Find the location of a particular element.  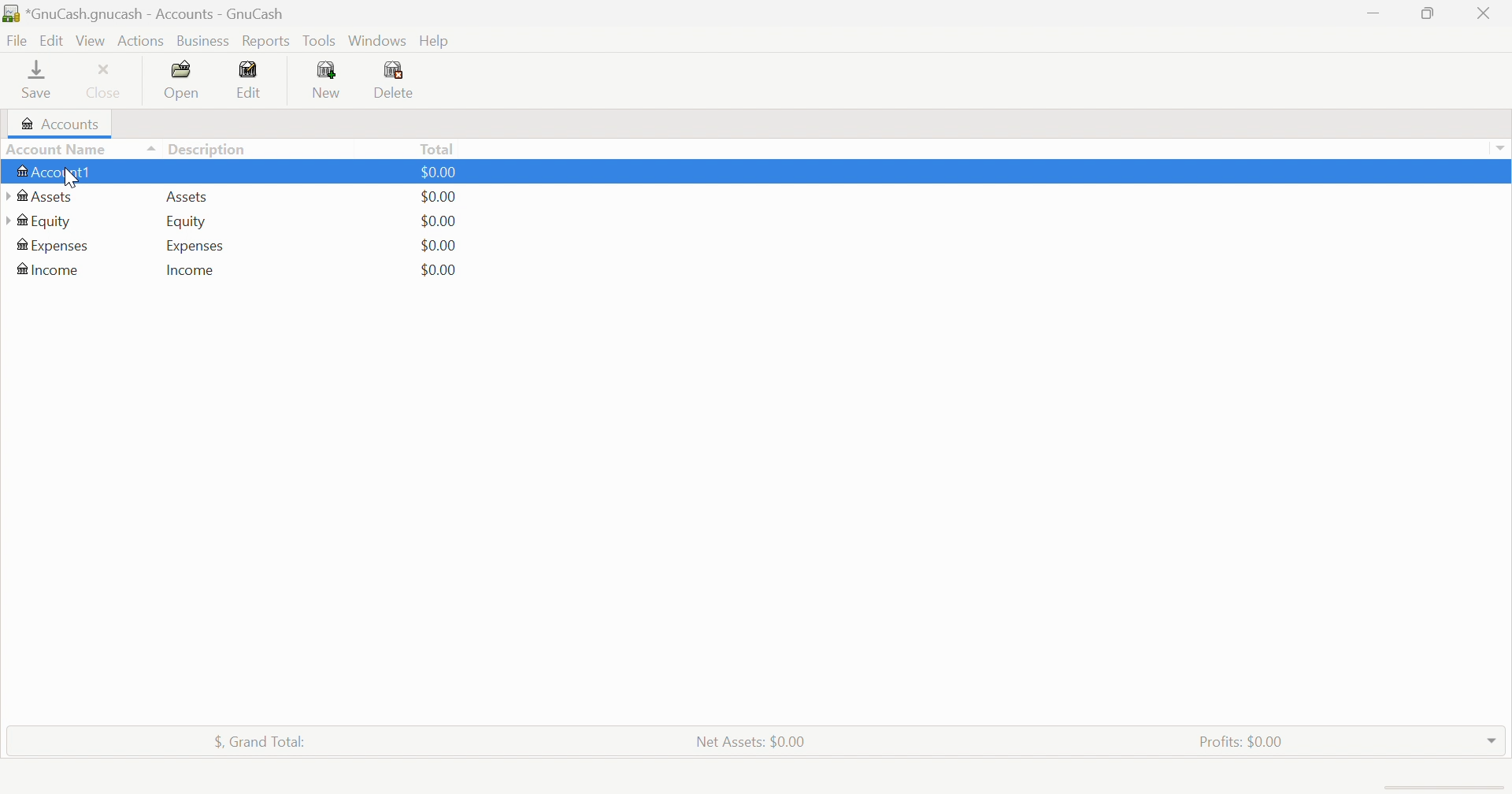

Equity is located at coordinates (187, 224).